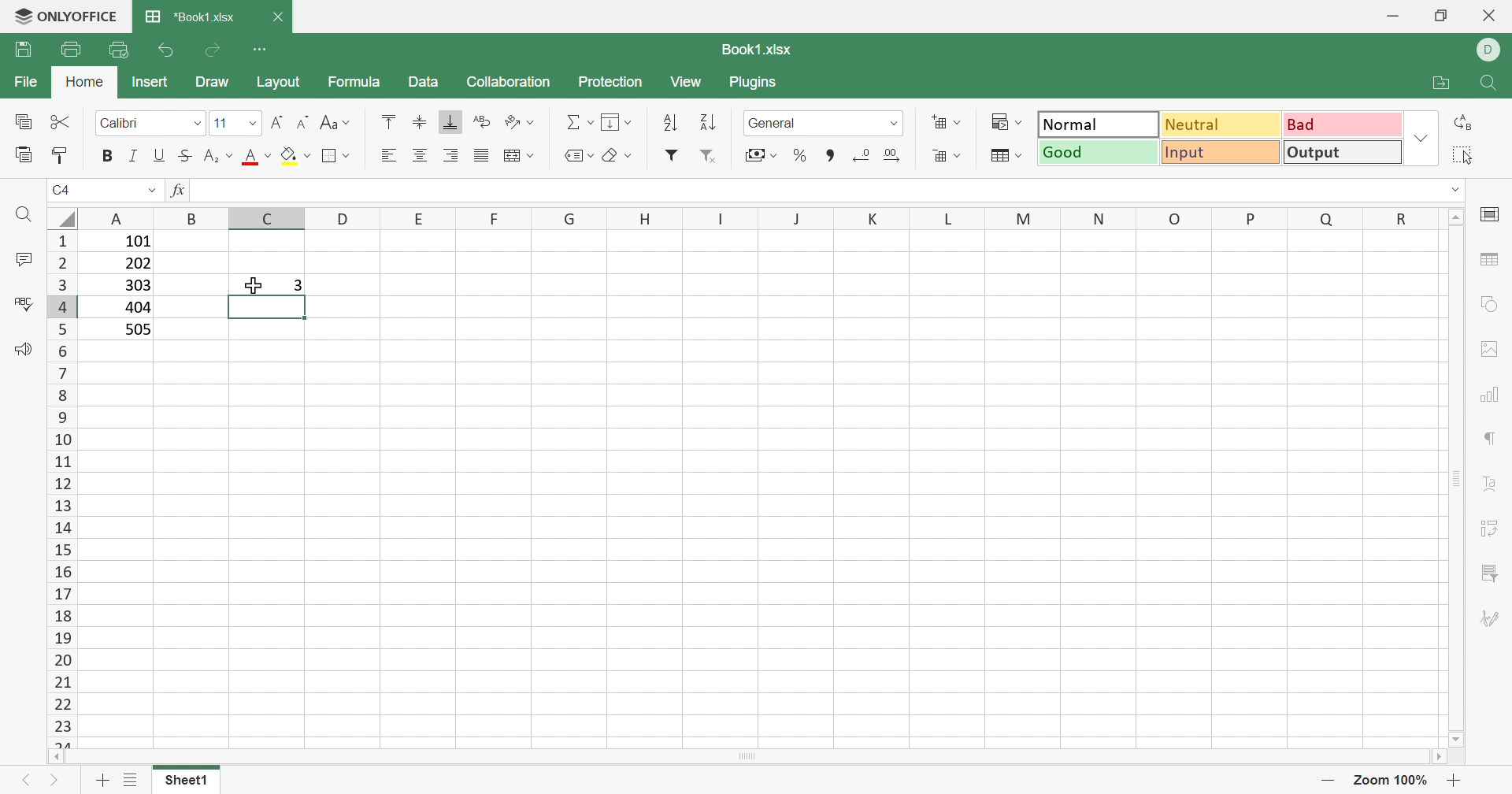 Image resolution: width=1512 pixels, height=794 pixels. I want to click on *Book1.xlsx, so click(191, 19).